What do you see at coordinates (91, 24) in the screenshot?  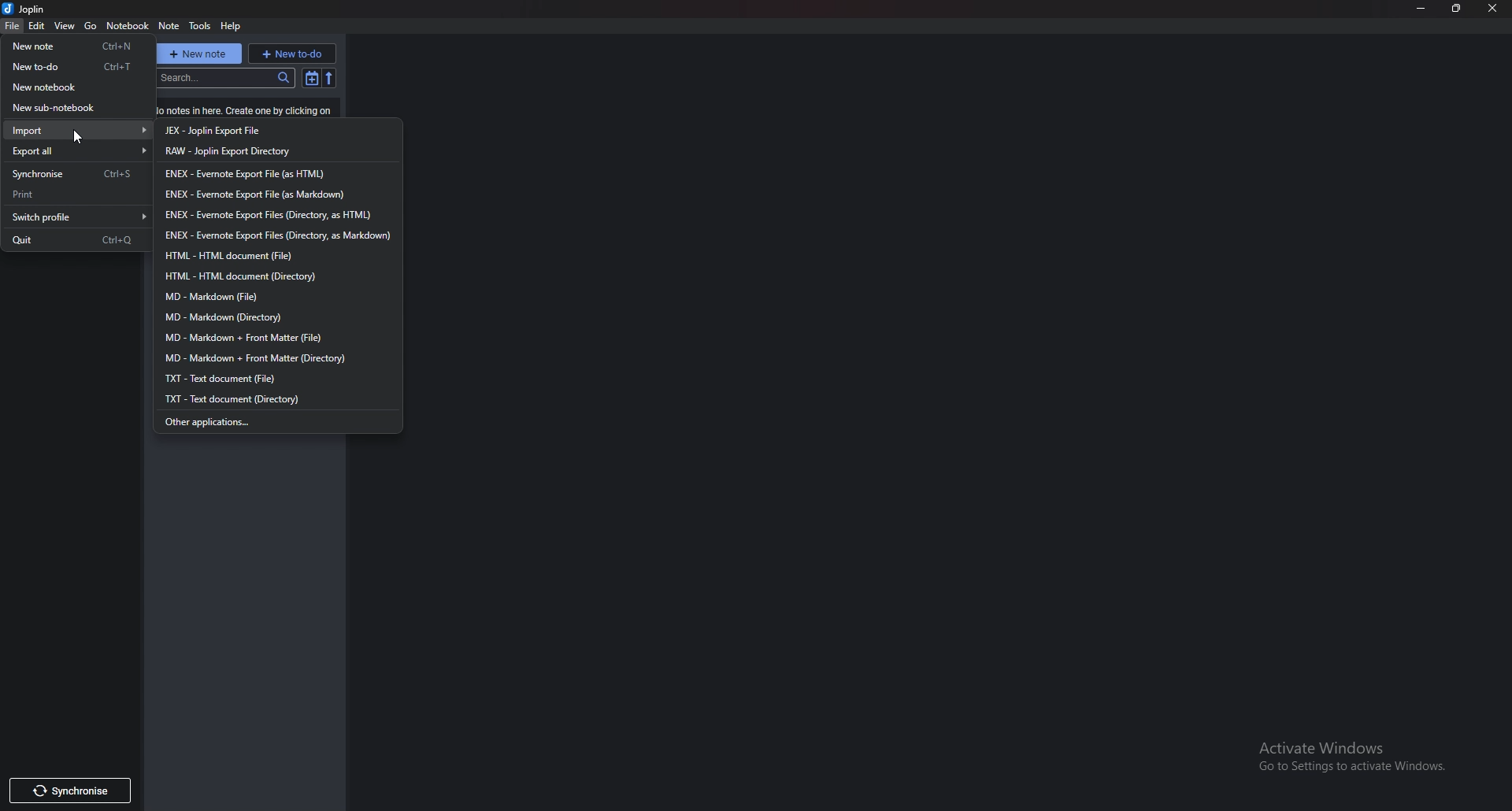 I see `go` at bounding box center [91, 24].